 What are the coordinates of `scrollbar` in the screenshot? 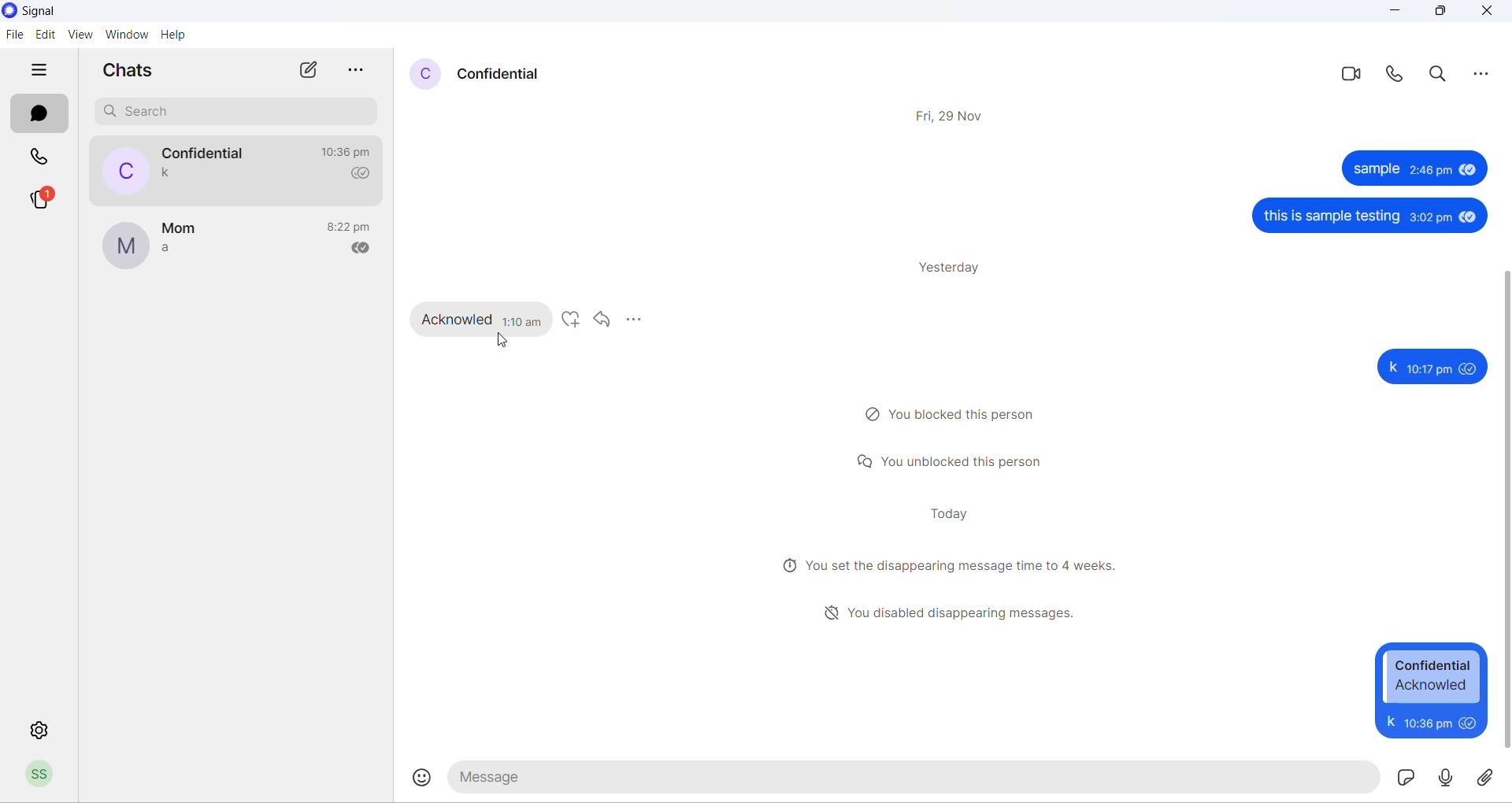 It's located at (1503, 509).